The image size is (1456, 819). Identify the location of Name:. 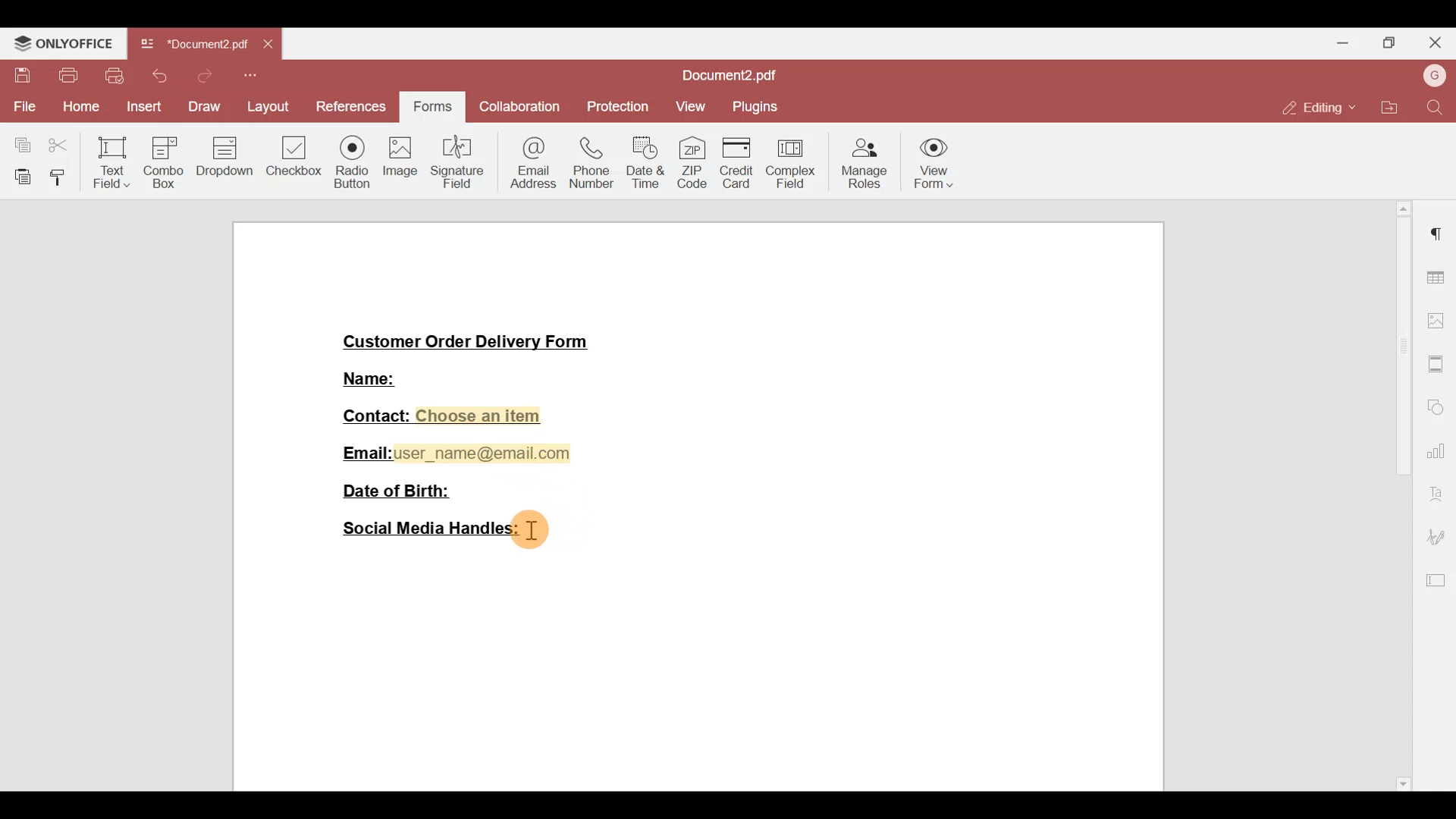
(367, 380).